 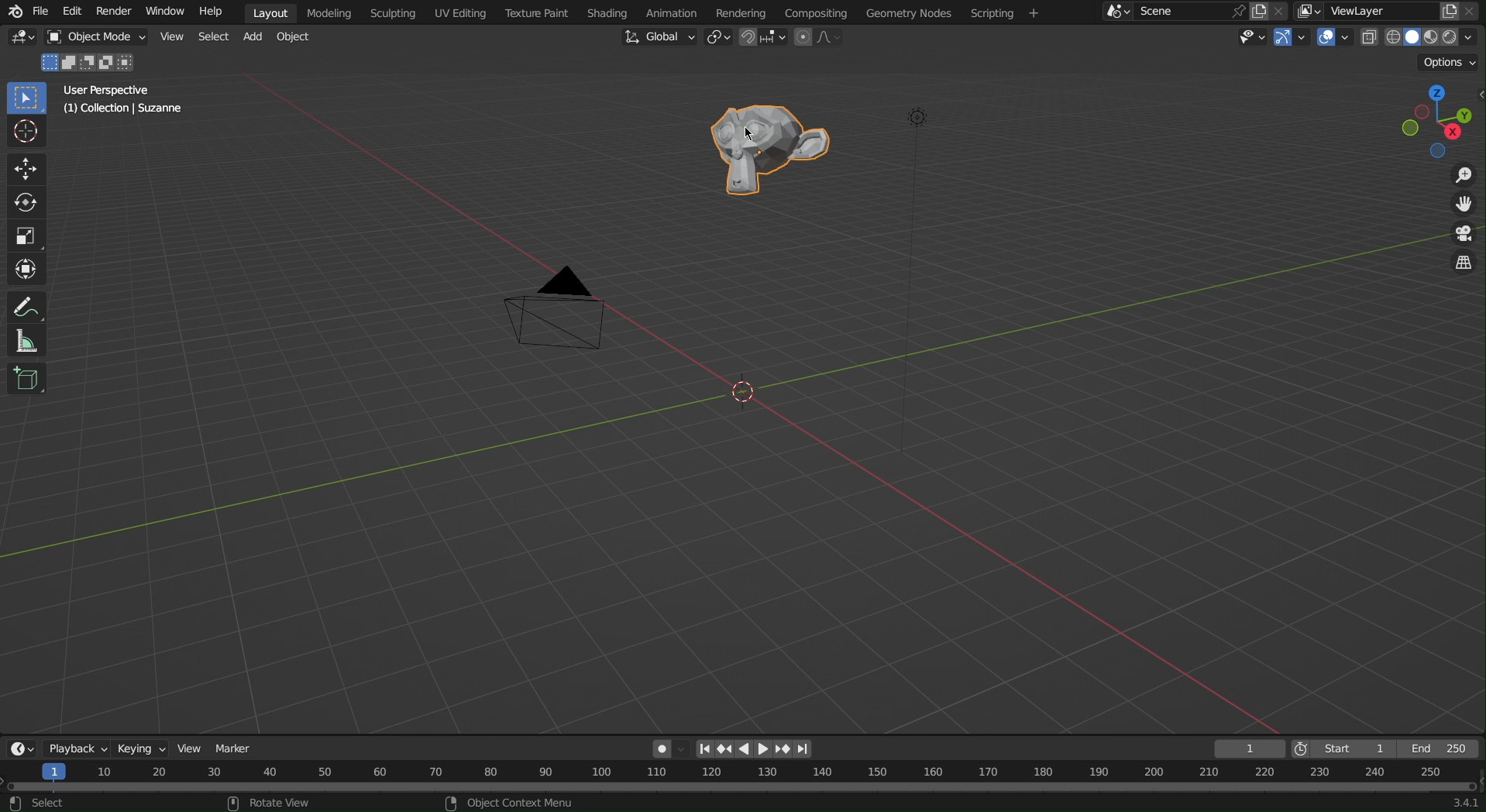 What do you see at coordinates (50, 63) in the screenshot?
I see `set a new selection` at bounding box center [50, 63].